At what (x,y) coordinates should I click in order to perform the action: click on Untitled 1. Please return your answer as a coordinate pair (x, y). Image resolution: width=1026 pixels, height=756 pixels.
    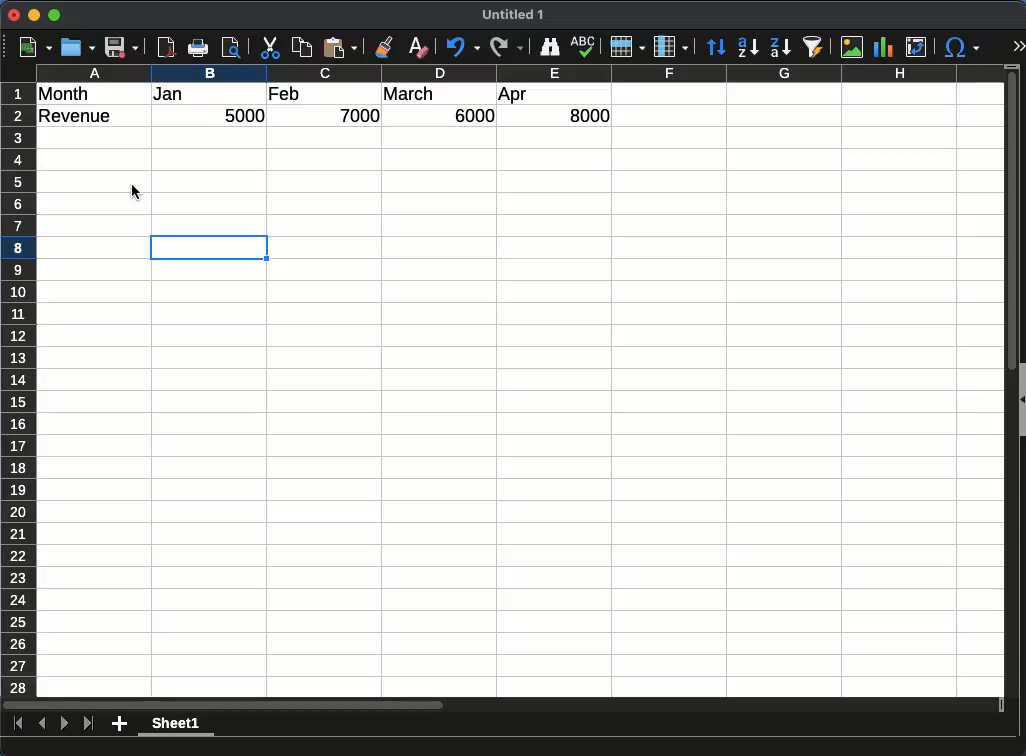
    Looking at the image, I should click on (513, 14).